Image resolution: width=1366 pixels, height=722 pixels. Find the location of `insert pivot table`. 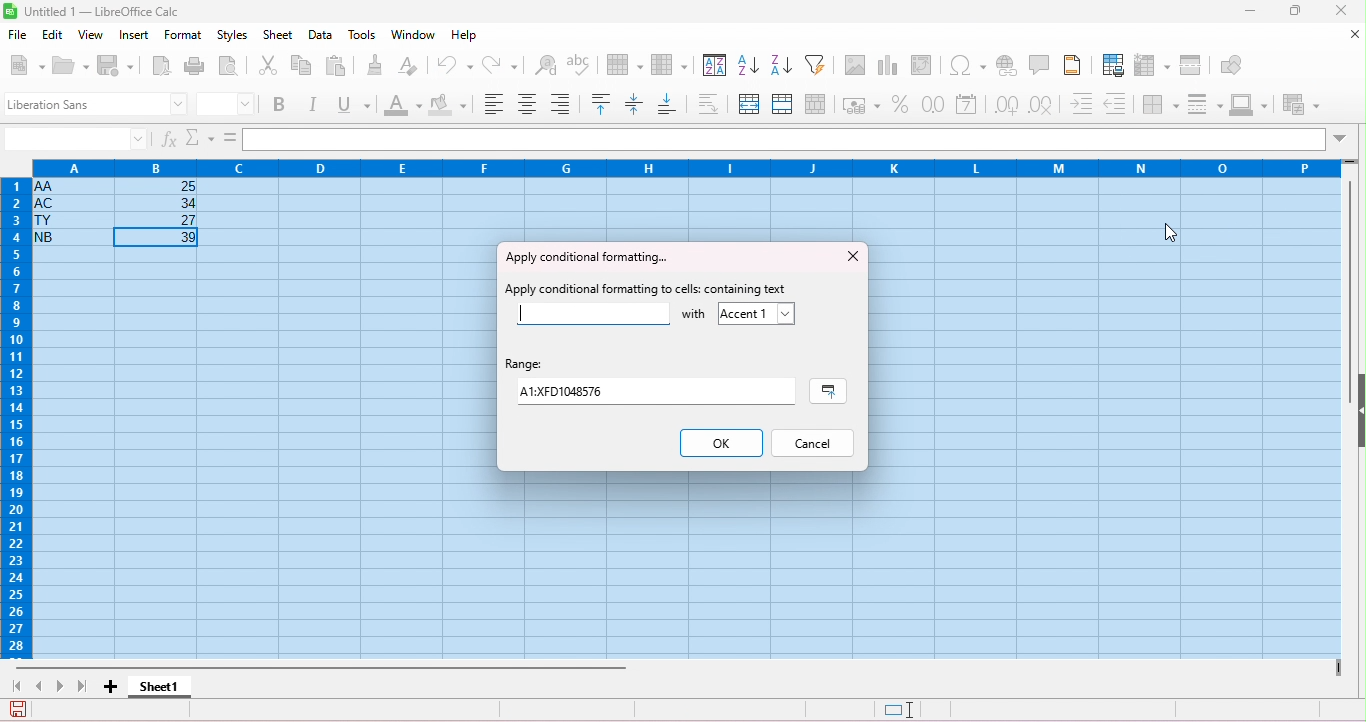

insert pivot table is located at coordinates (925, 64).